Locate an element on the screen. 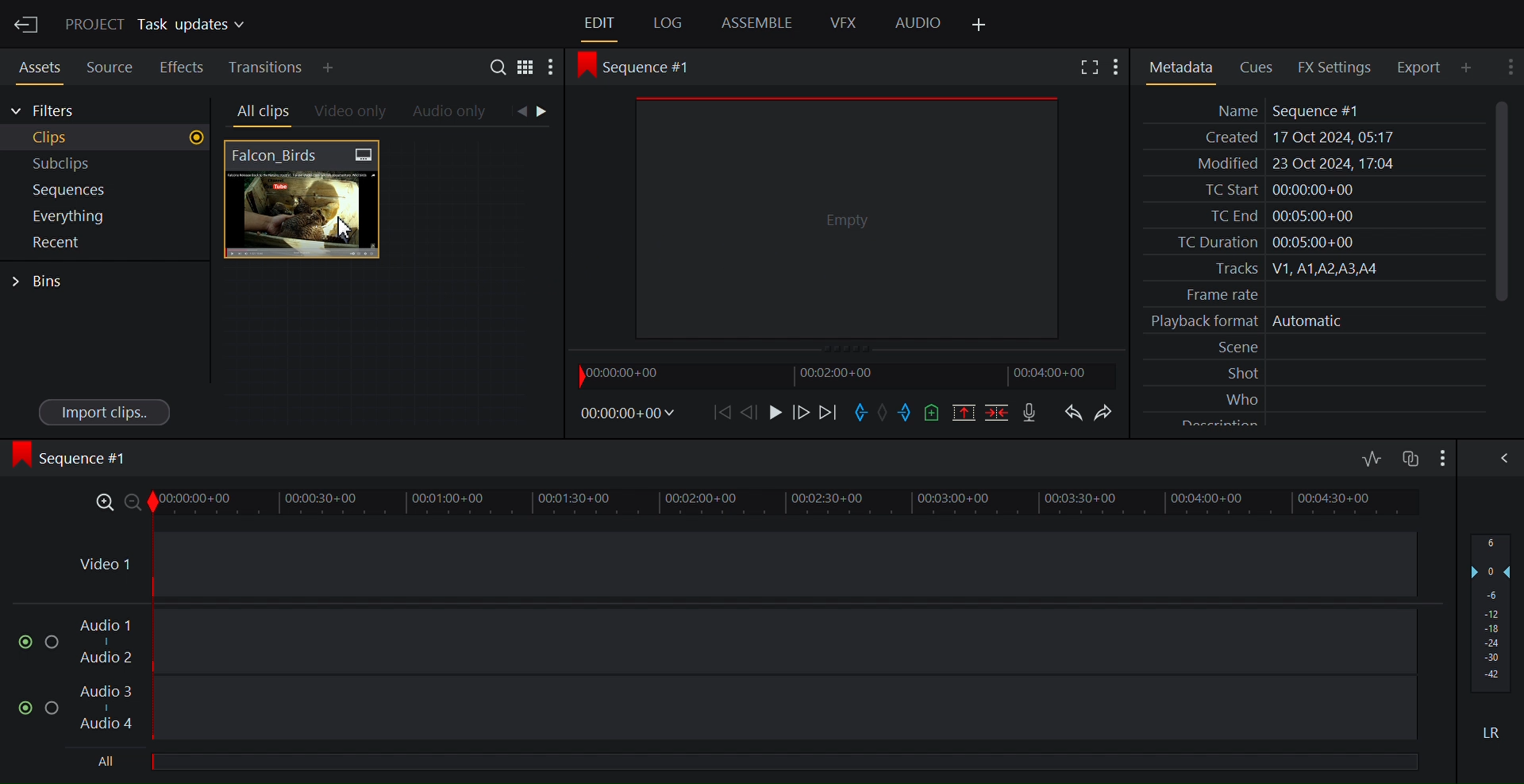 Image resolution: width=1524 pixels, height=784 pixels. Clear marks is located at coordinates (885, 412).